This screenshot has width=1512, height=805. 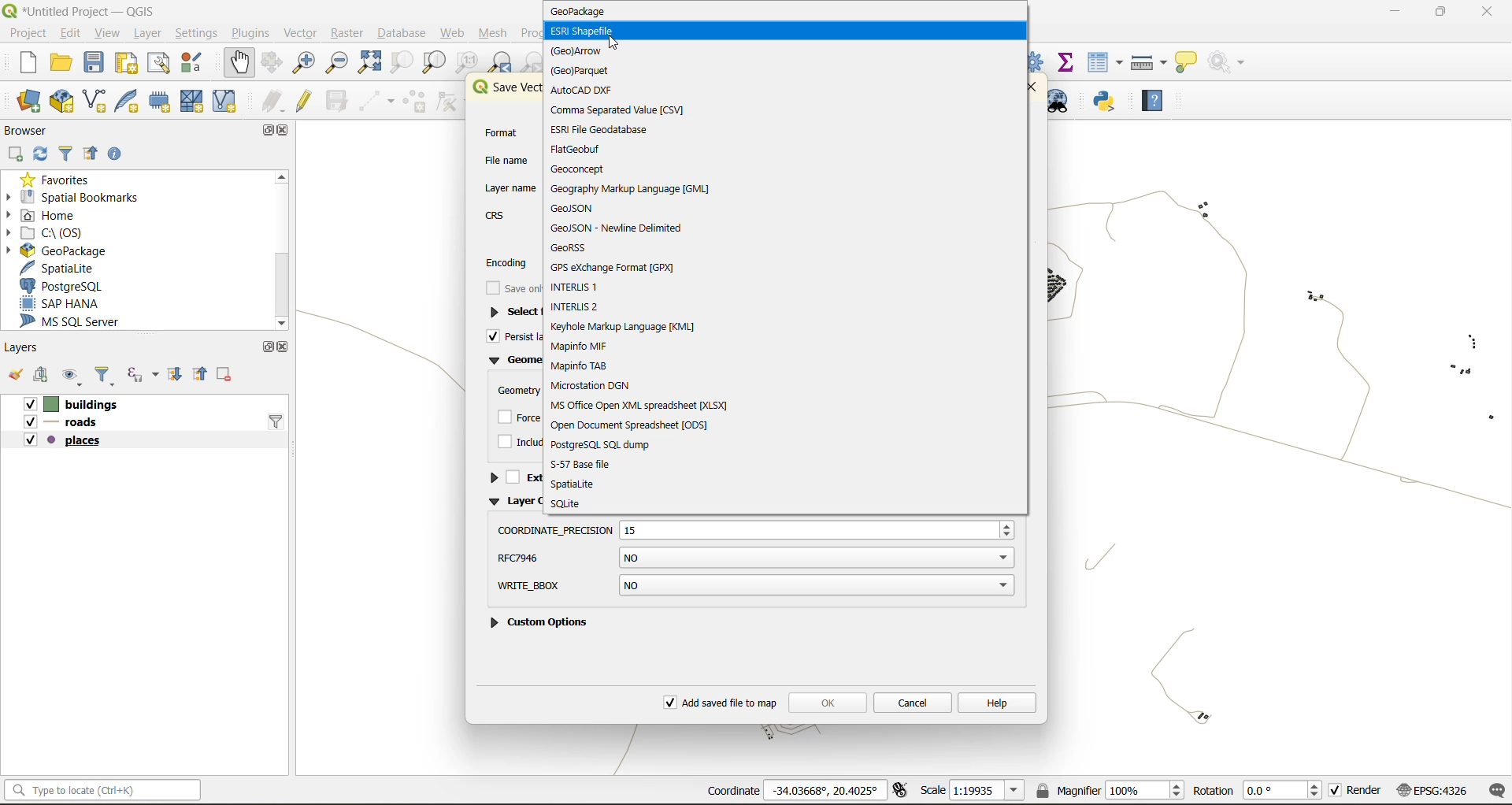 I want to click on new temporary scratch file layer, so click(x=159, y=101).